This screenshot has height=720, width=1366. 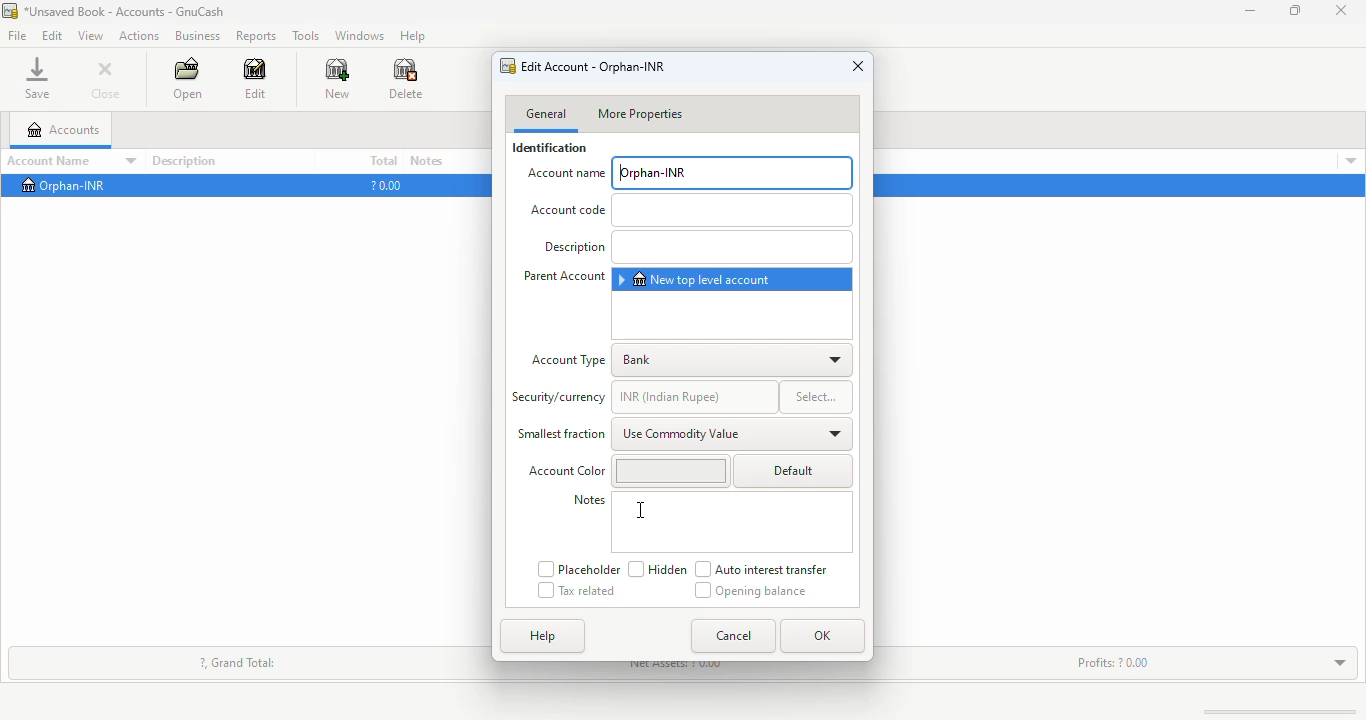 What do you see at coordinates (577, 591) in the screenshot?
I see `tax related` at bounding box center [577, 591].